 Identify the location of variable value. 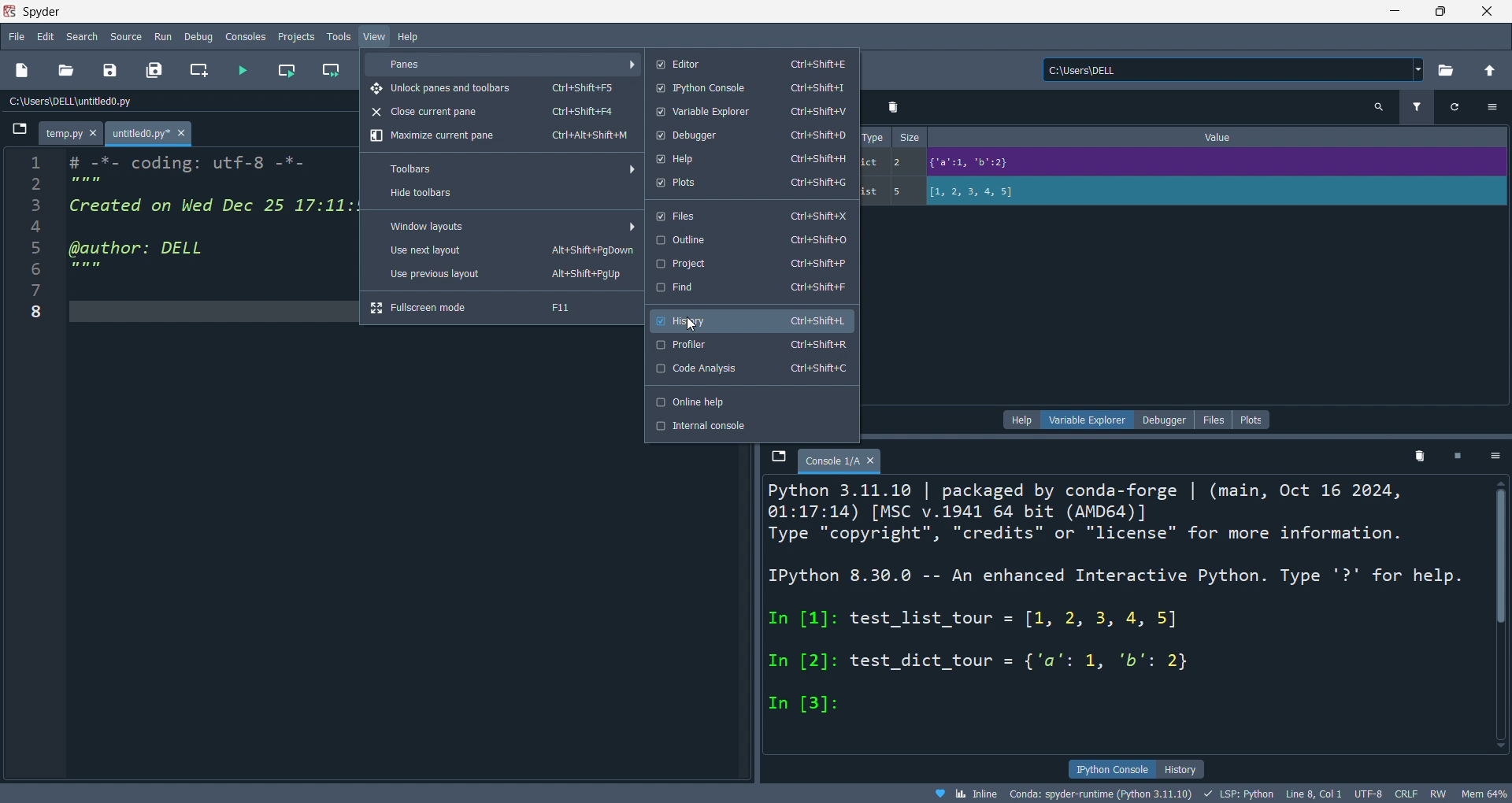
(1213, 165).